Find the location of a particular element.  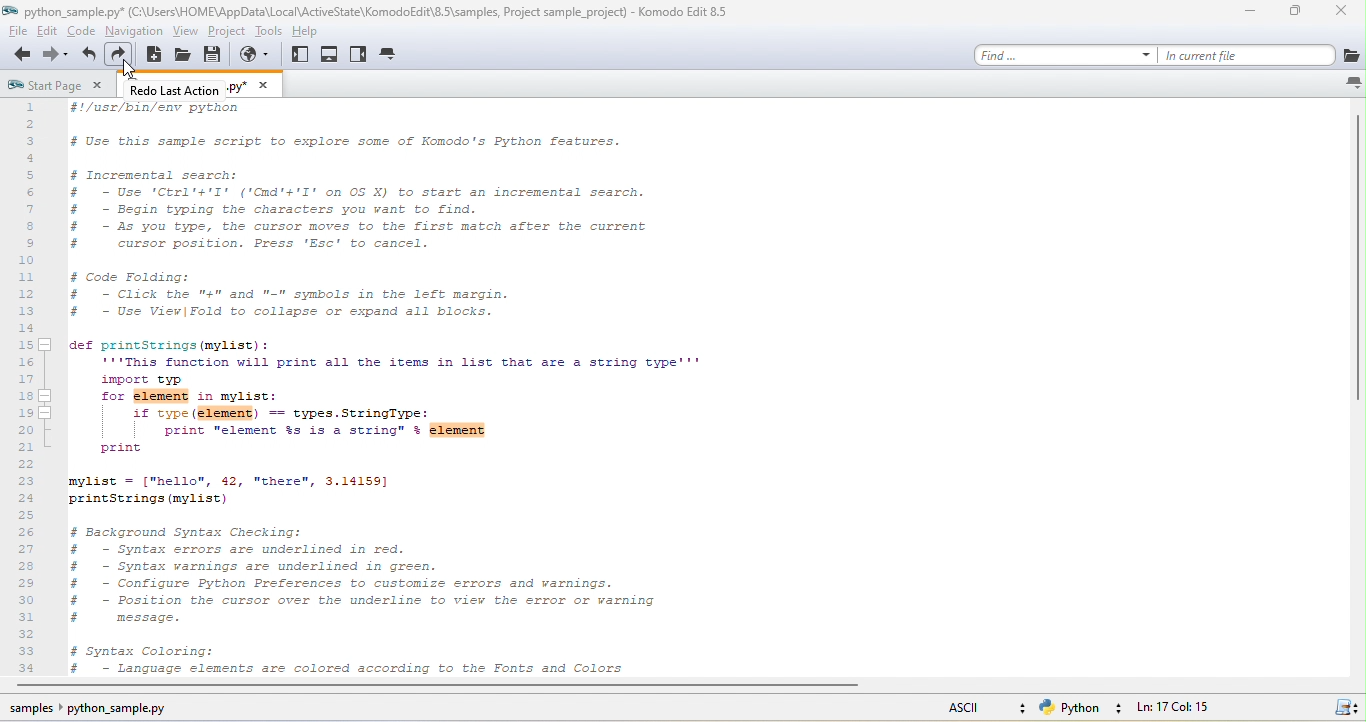

close is located at coordinates (1346, 14).